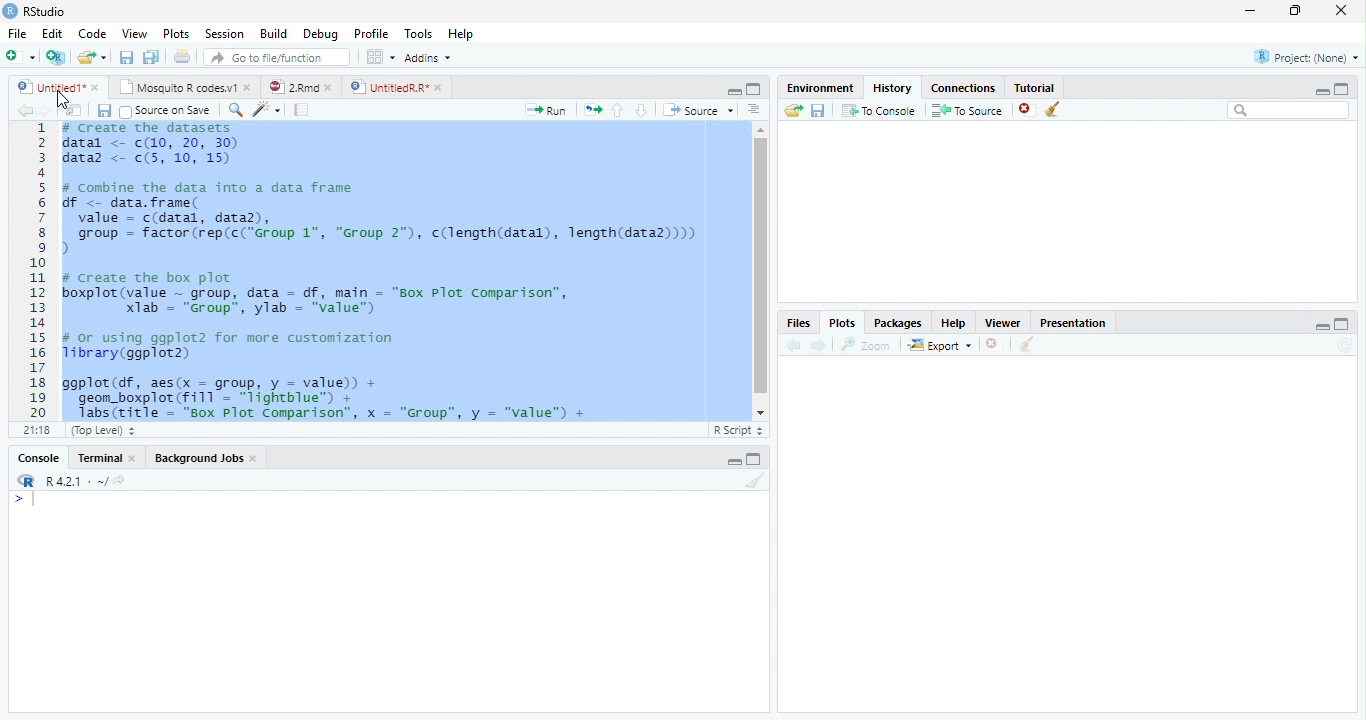  What do you see at coordinates (1321, 326) in the screenshot?
I see `Minimize` at bounding box center [1321, 326].